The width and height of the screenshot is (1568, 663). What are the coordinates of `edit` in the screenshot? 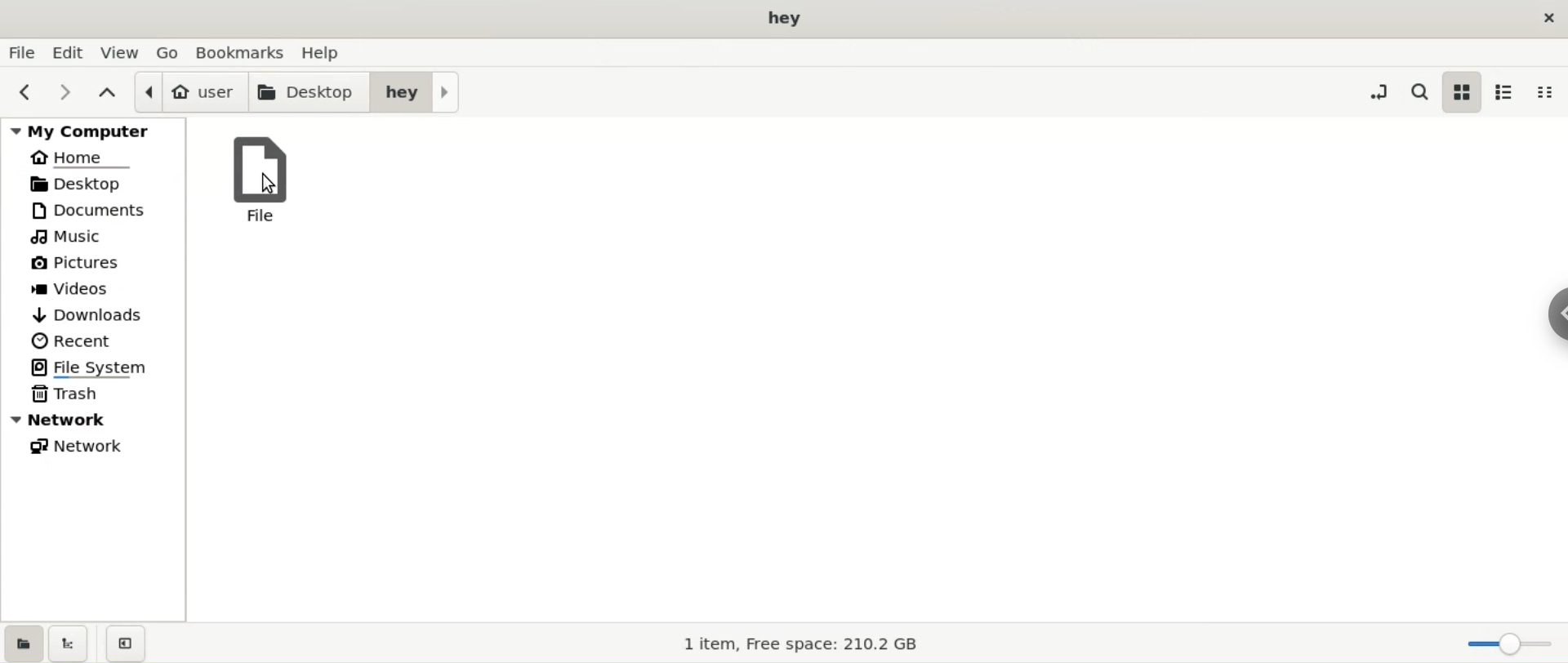 It's located at (71, 51).